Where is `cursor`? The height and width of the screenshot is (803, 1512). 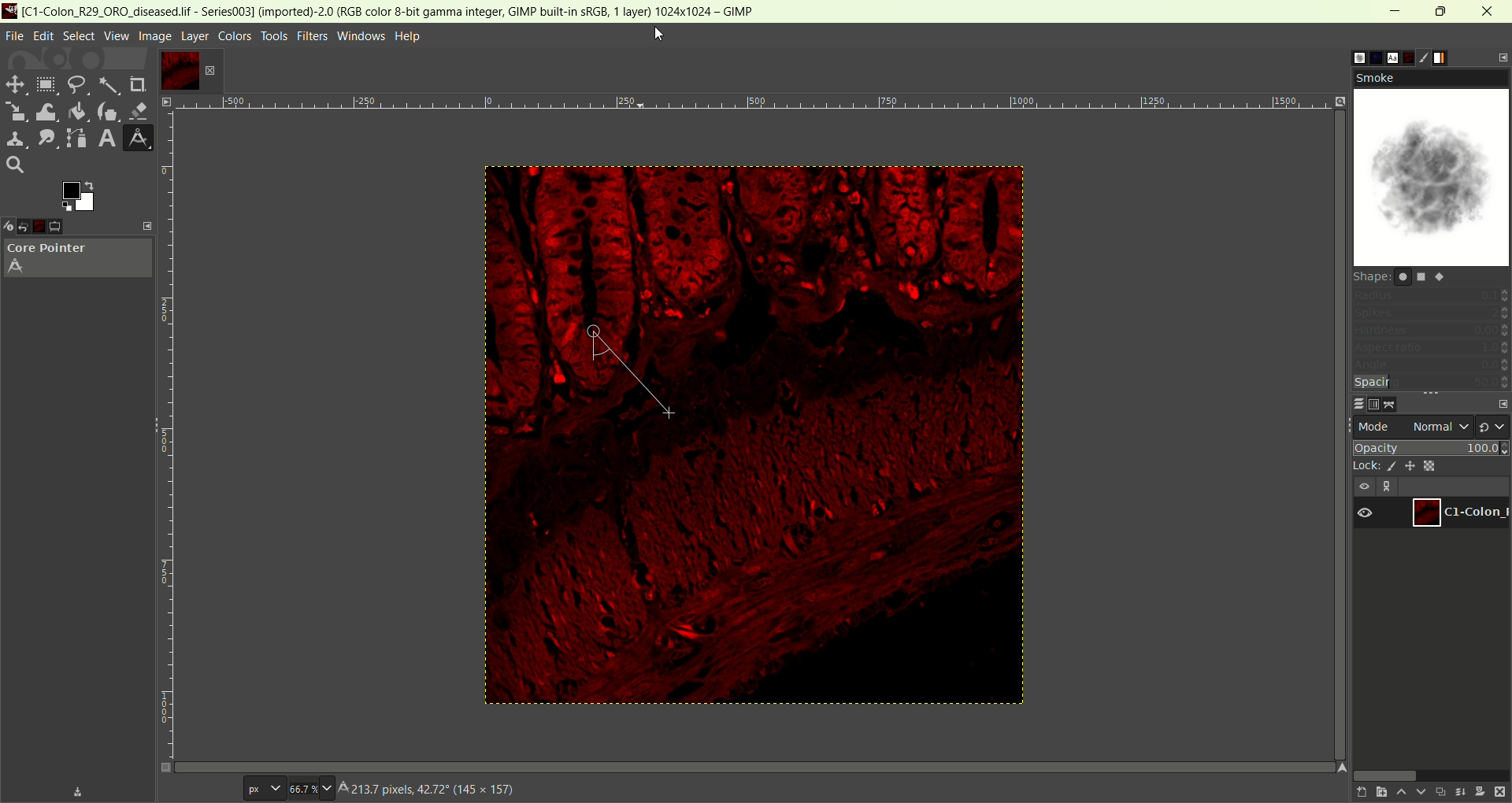 cursor is located at coordinates (658, 33).